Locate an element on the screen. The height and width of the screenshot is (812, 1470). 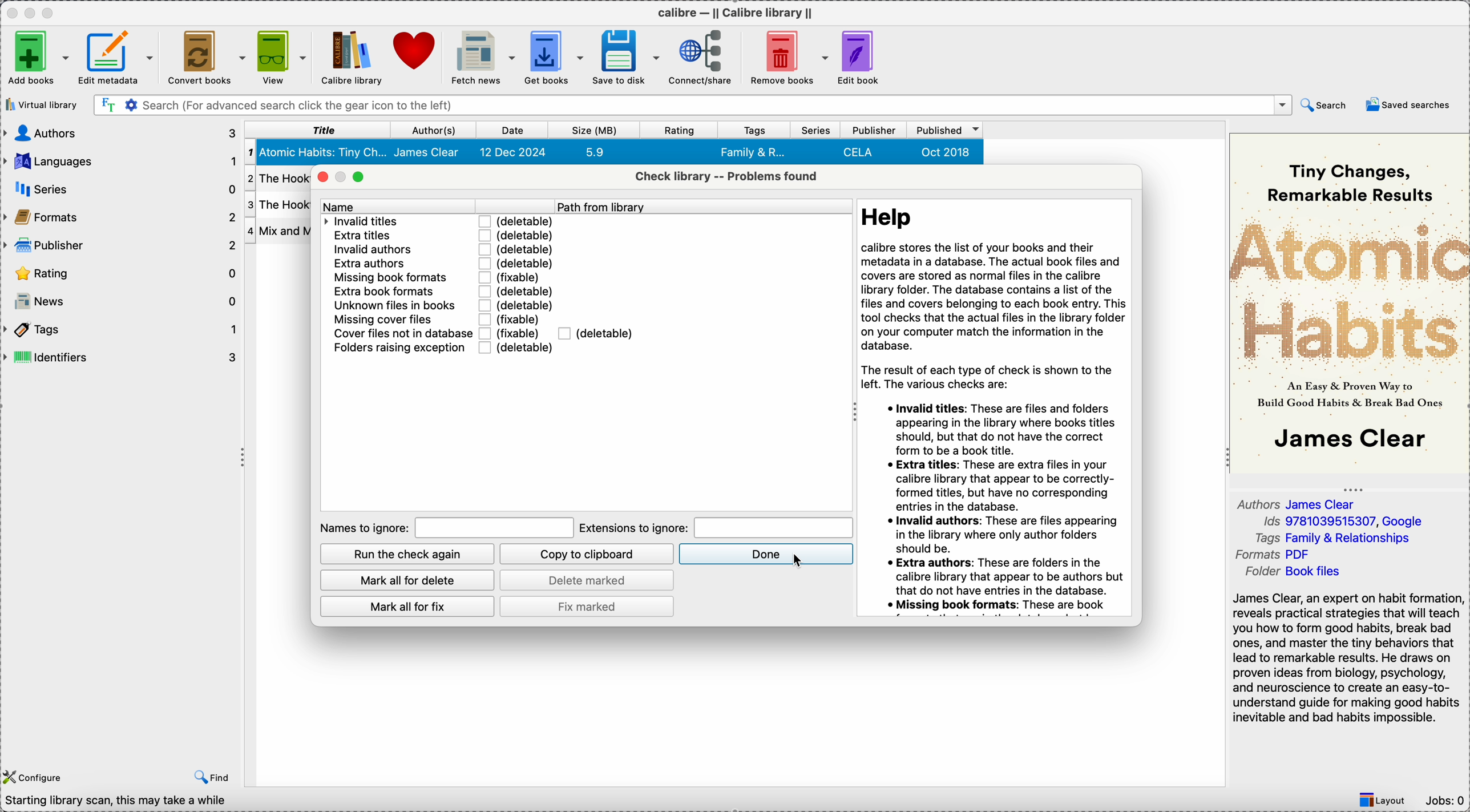
missing book formats is located at coordinates (391, 277).